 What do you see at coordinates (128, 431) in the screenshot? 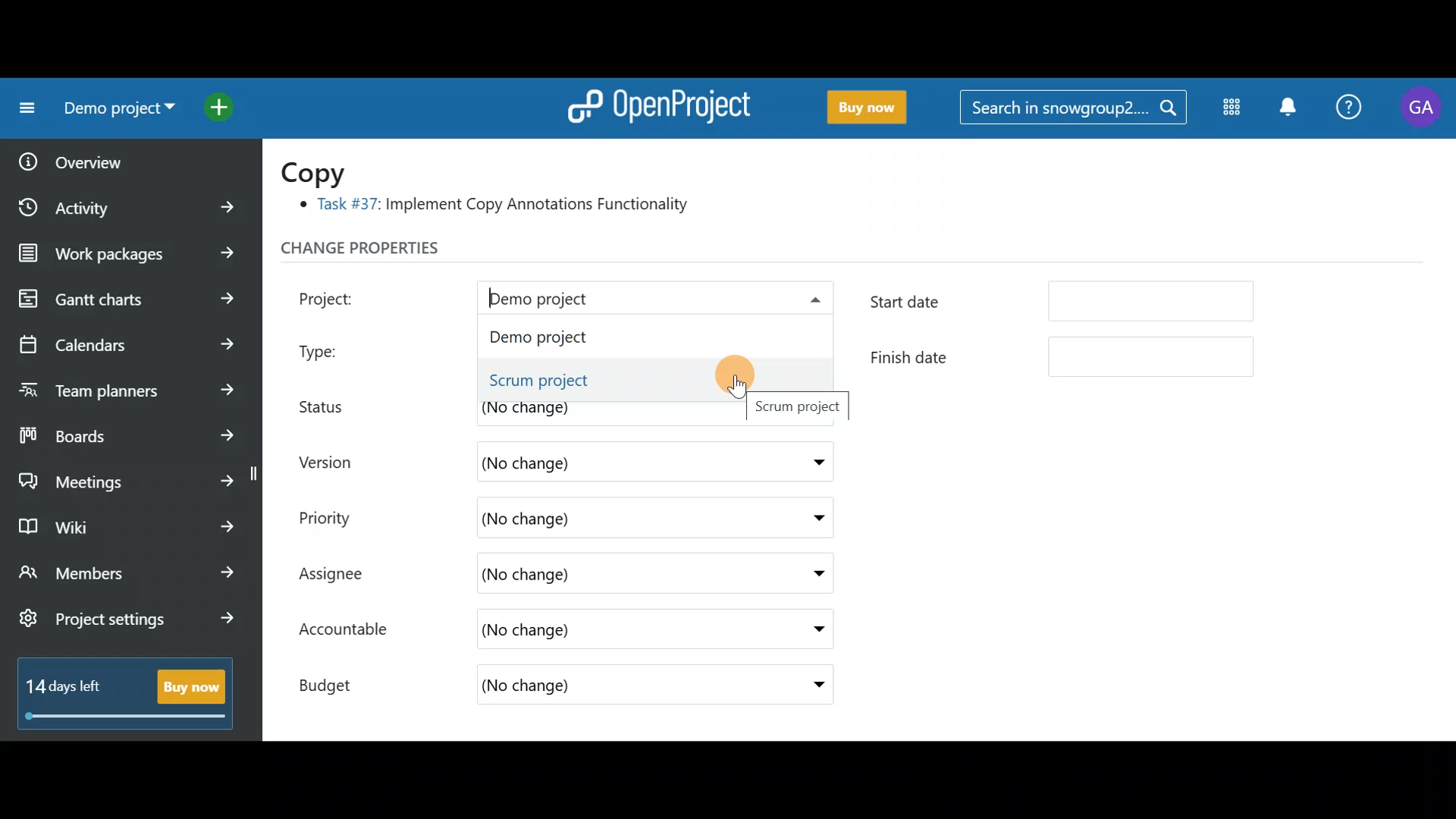
I see `Boards` at bounding box center [128, 431].